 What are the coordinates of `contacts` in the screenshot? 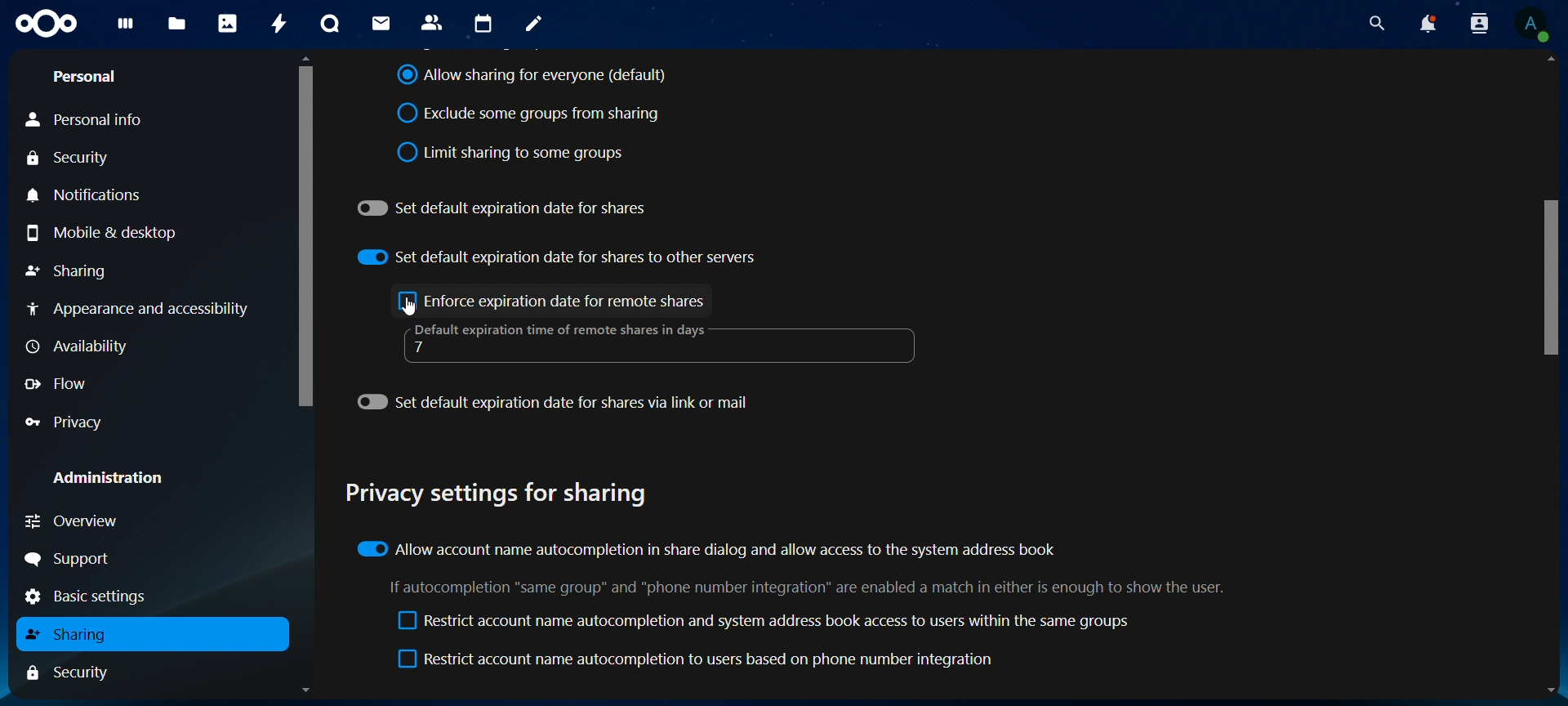 It's located at (431, 22).